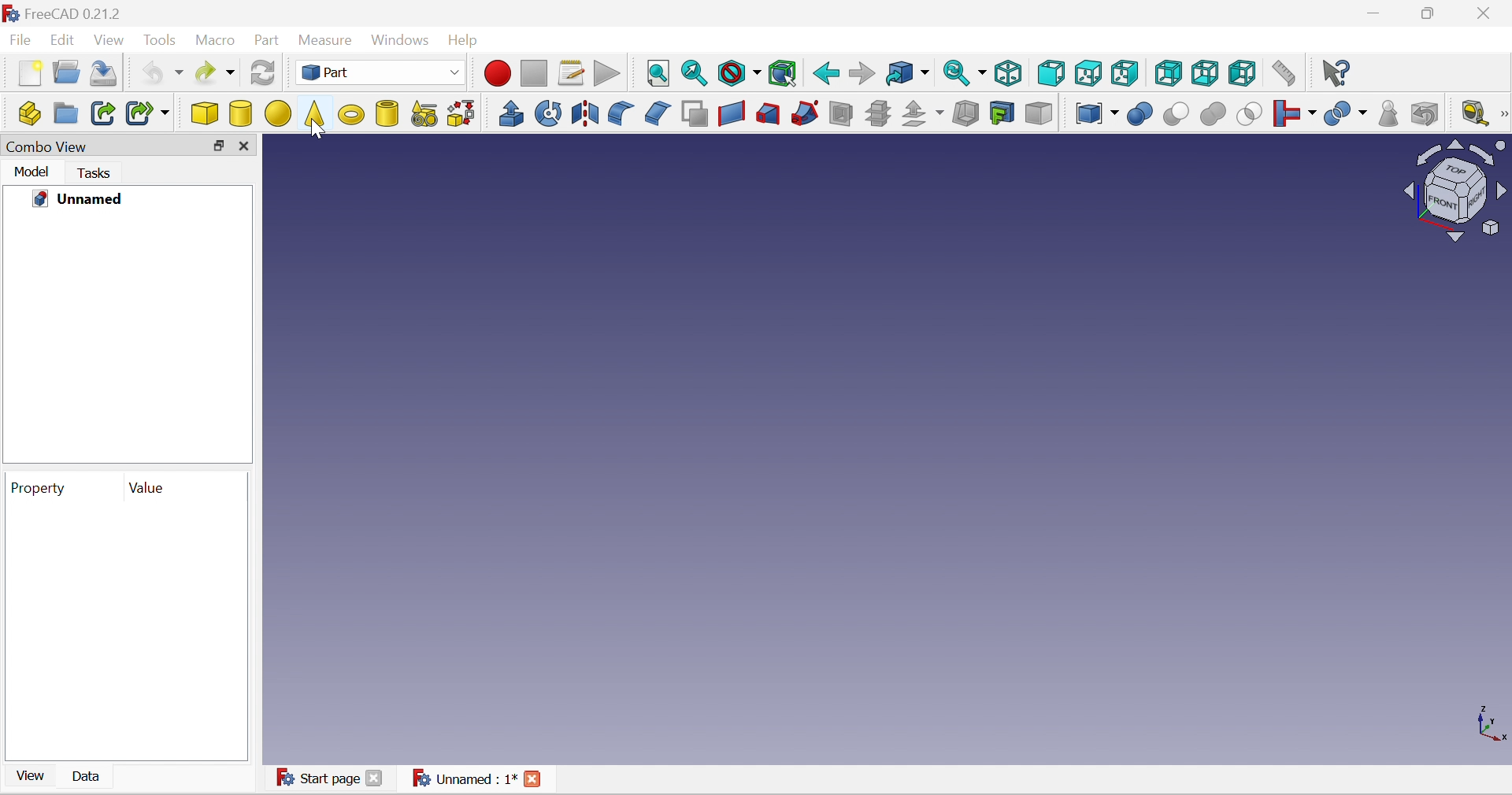 The height and width of the screenshot is (795, 1512). I want to click on Redo, so click(213, 76).